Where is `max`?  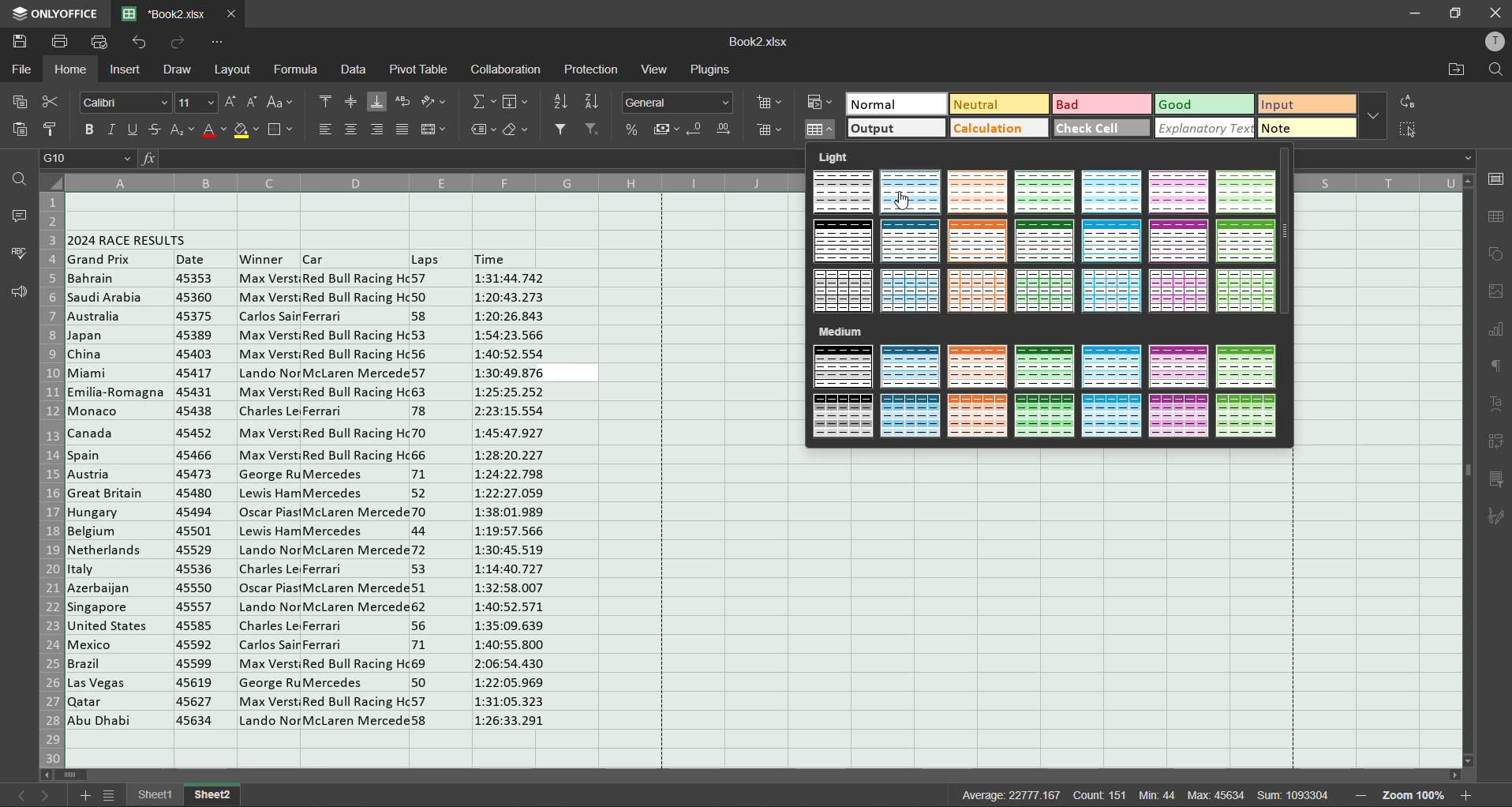 max is located at coordinates (1215, 794).